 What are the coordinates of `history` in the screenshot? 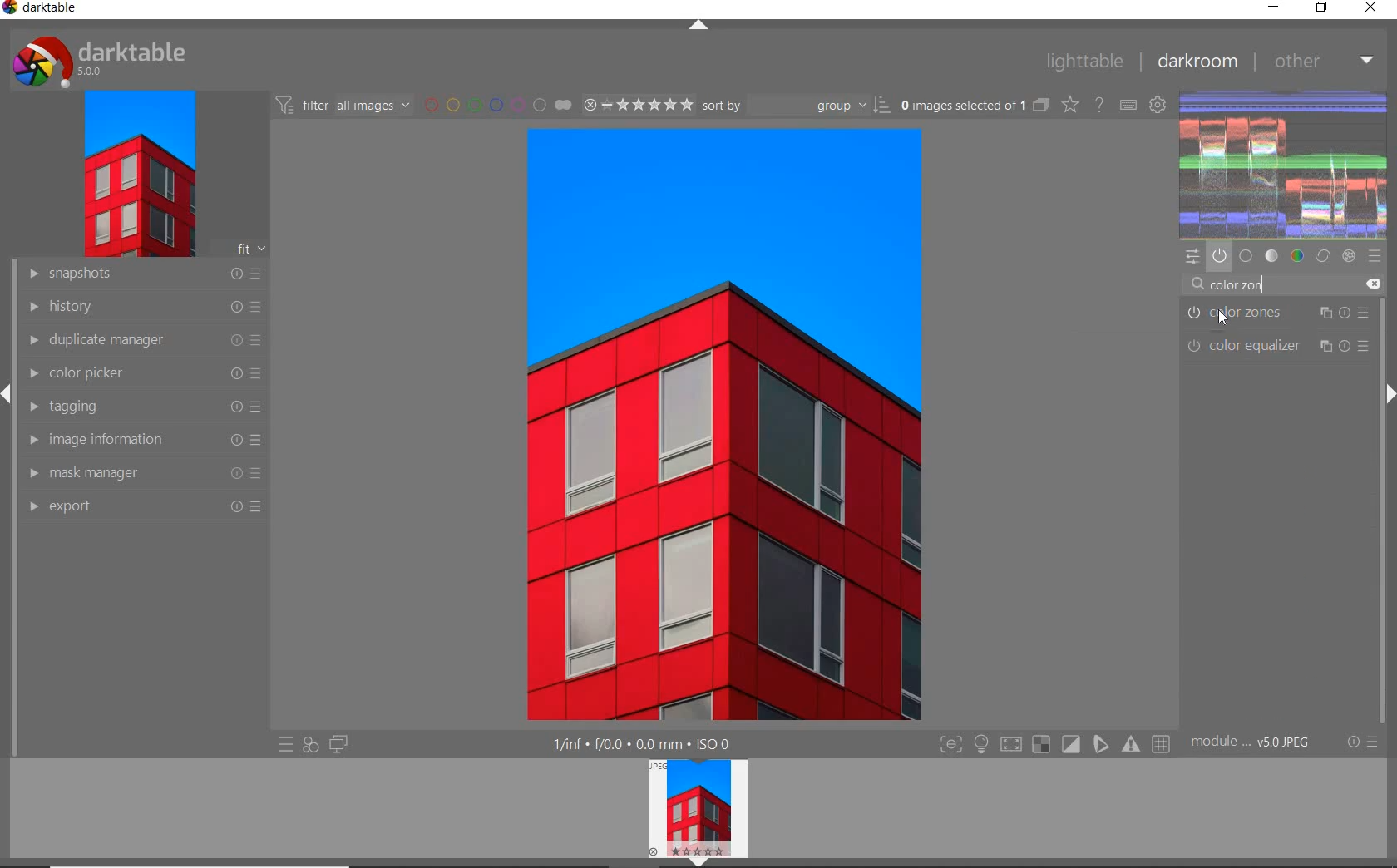 It's located at (141, 308).